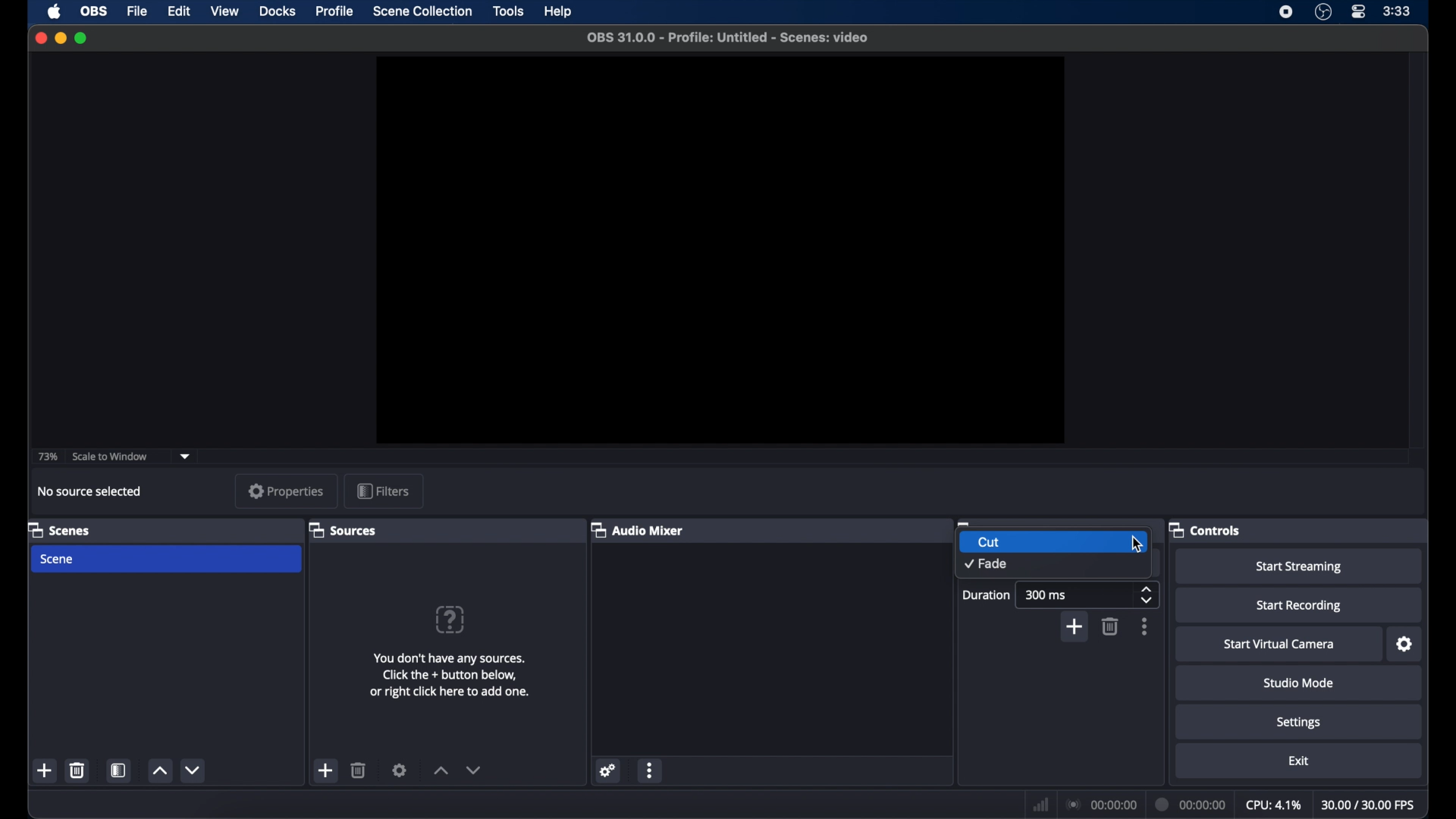  Describe the element at coordinates (55, 12) in the screenshot. I see `apple icon` at that location.